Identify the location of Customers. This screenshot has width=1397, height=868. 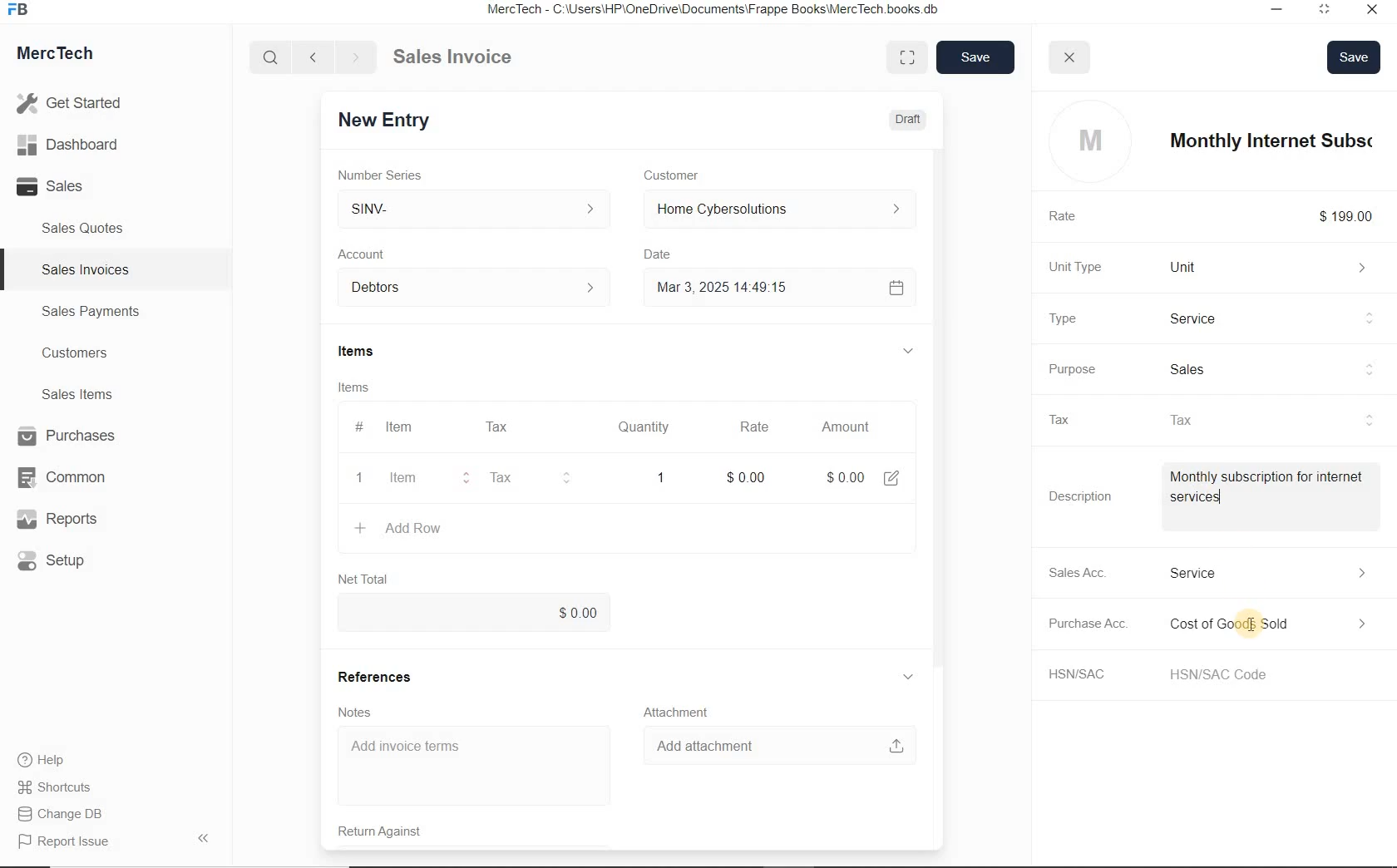
(90, 353).